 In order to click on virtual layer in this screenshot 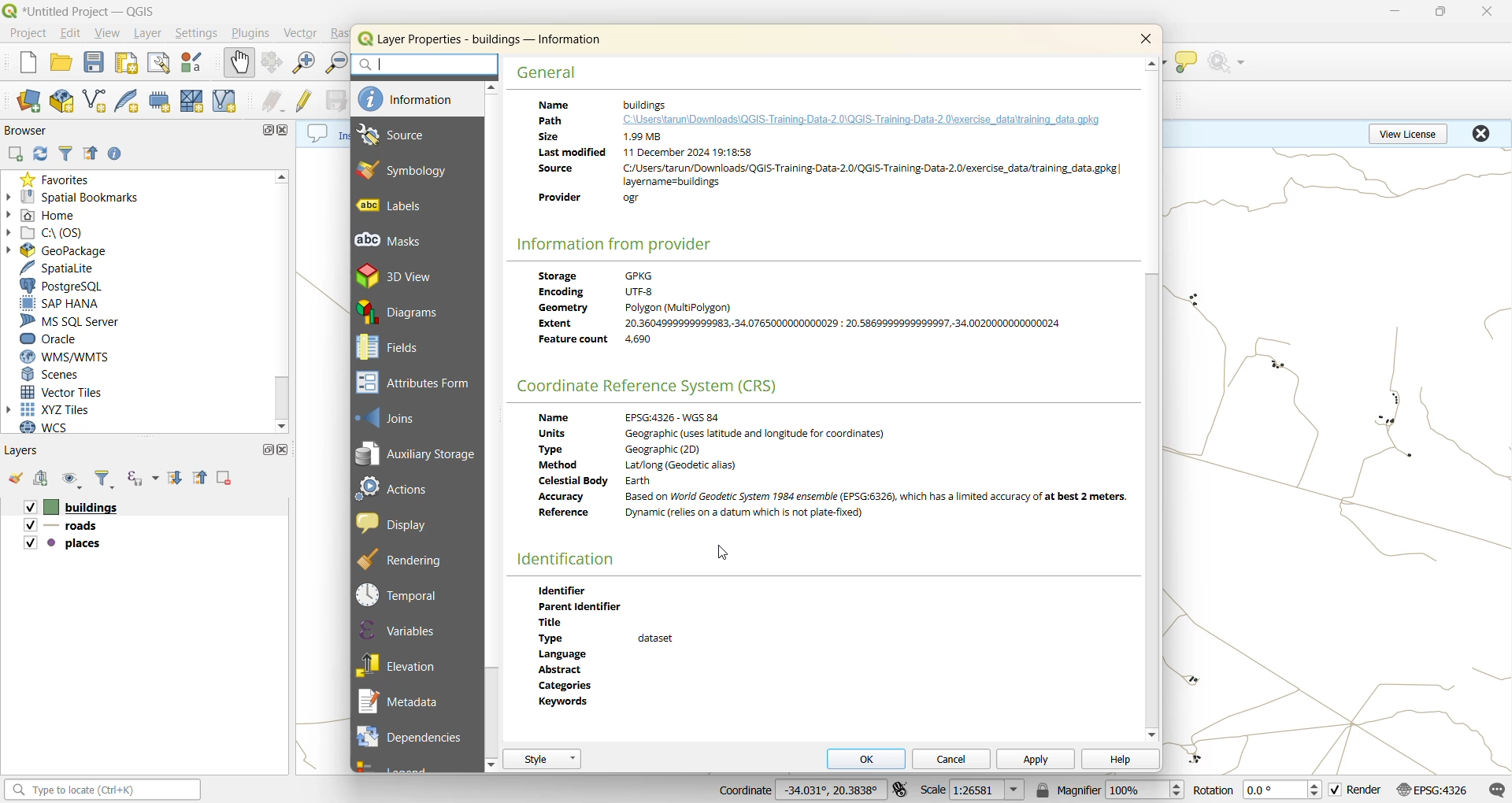, I will do `click(224, 102)`.